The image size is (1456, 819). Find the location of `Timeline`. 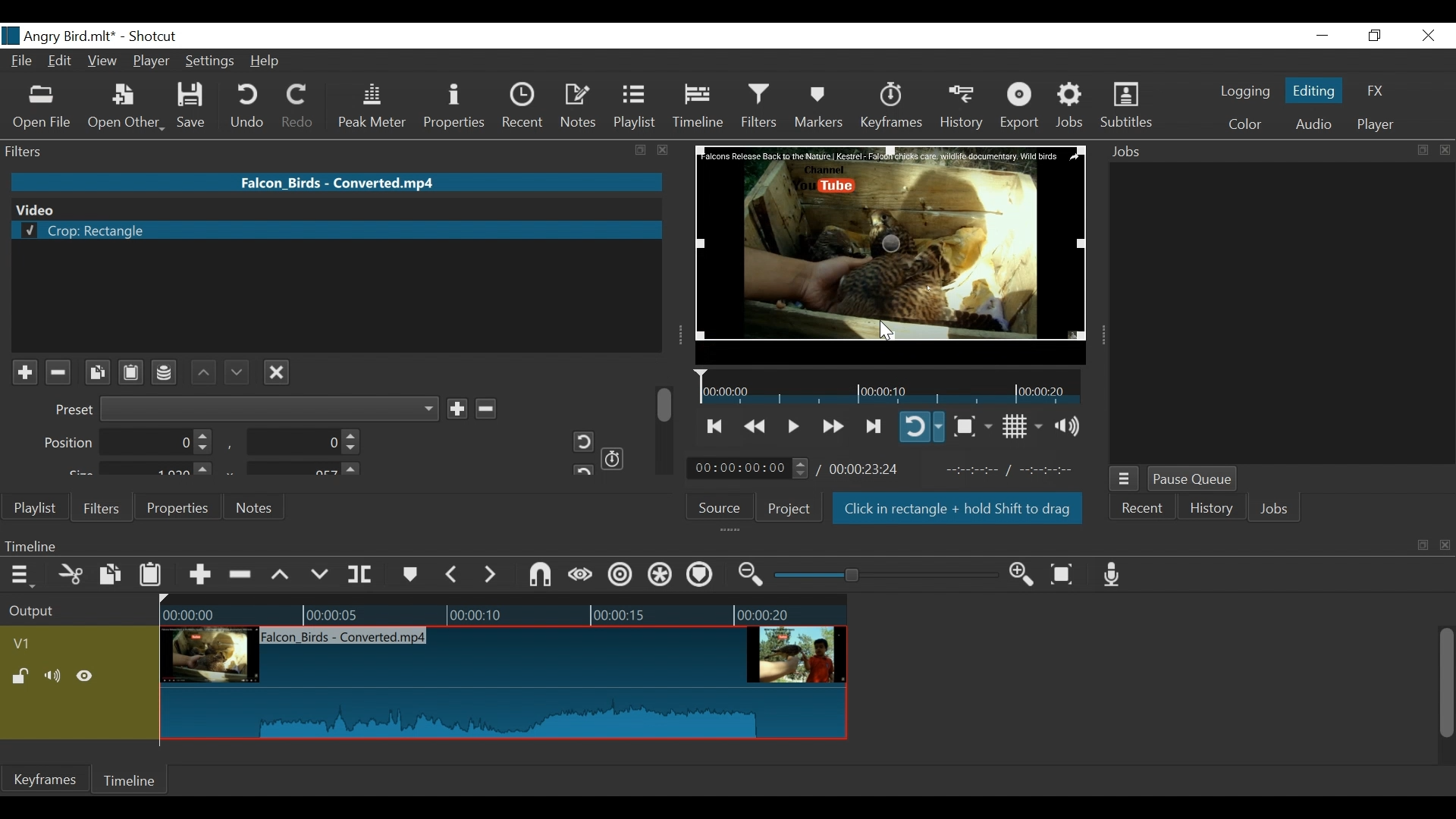

Timeline is located at coordinates (699, 106).